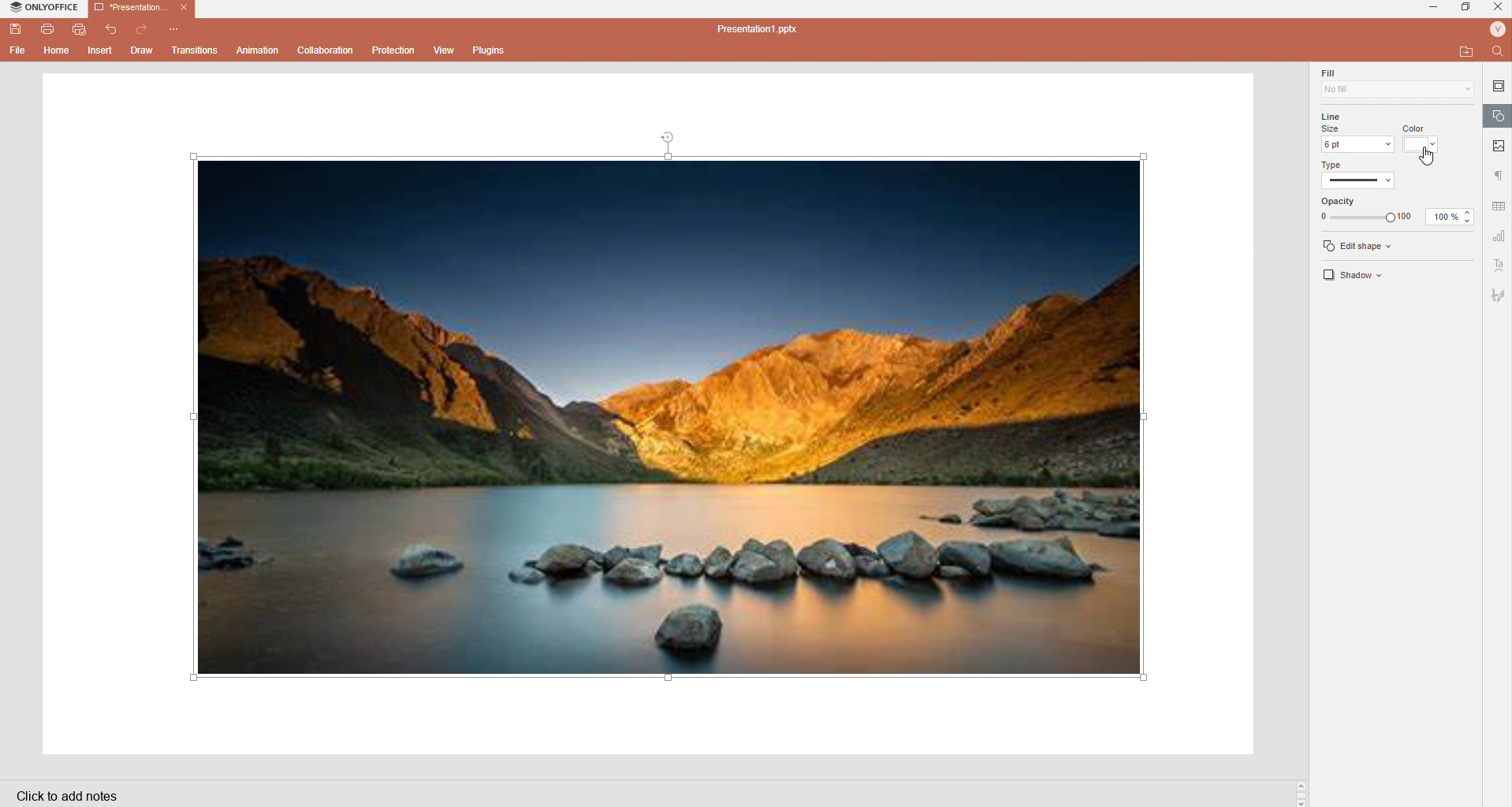 Image resolution: width=1512 pixels, height=807 pixels. What do you see at coordinates (47, 30) in the screenshot?
I see `Print file` at bounding box center [47, 30].